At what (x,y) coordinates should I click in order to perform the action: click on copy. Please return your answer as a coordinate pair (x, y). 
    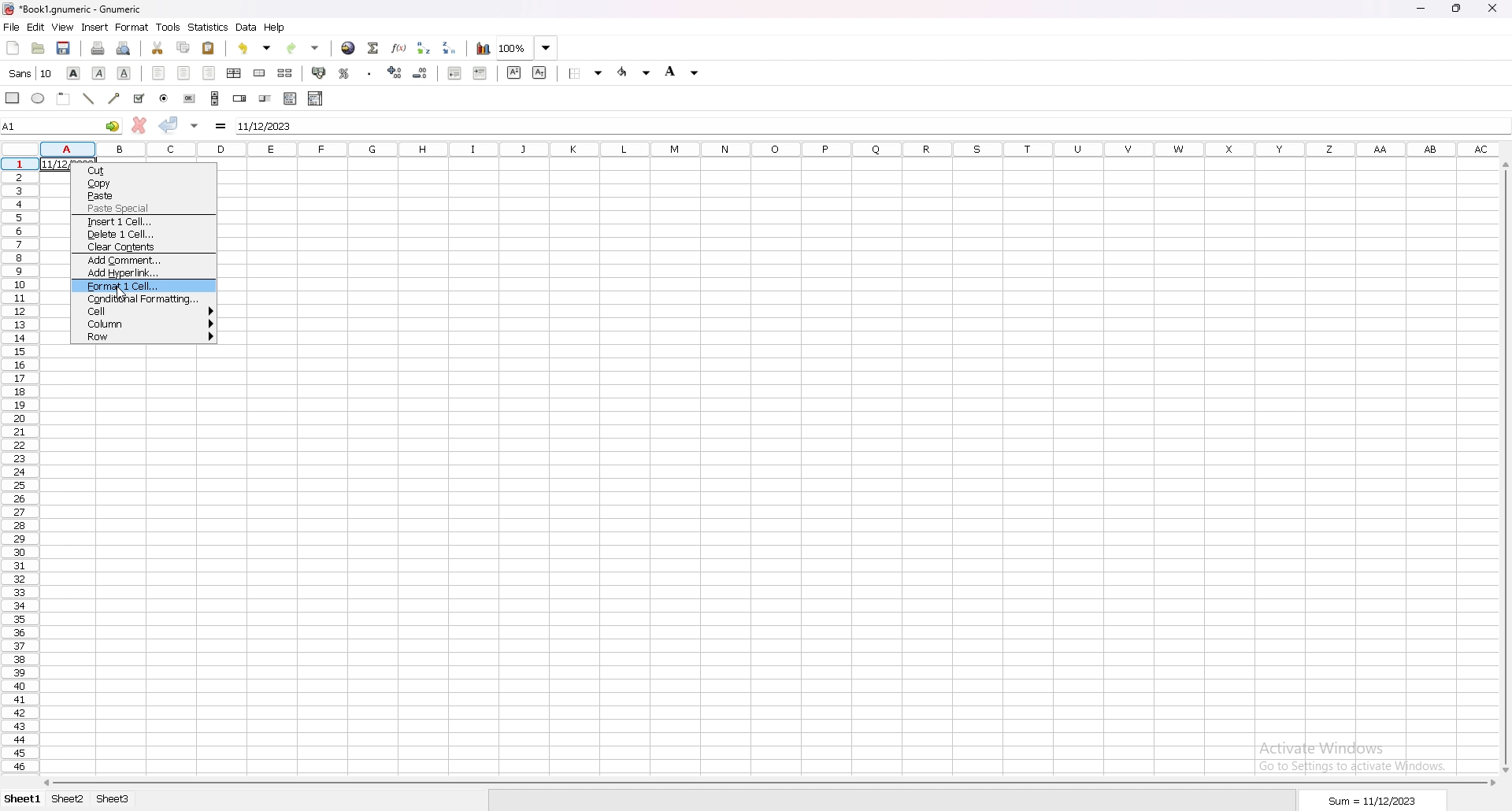
    Looking at the image, I should click on (144, 184).